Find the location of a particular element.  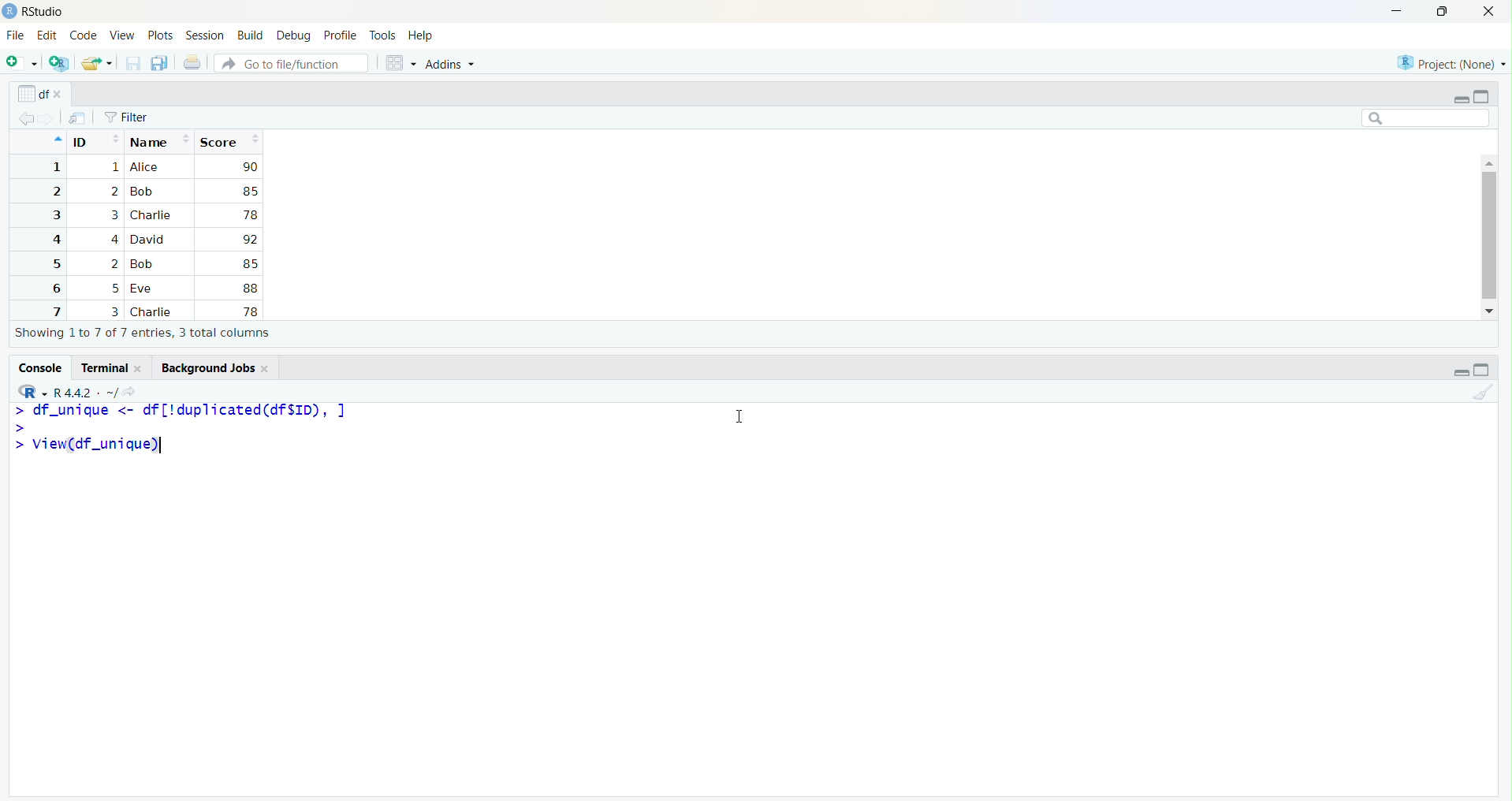

start typing is located at coordinates (17, 445).